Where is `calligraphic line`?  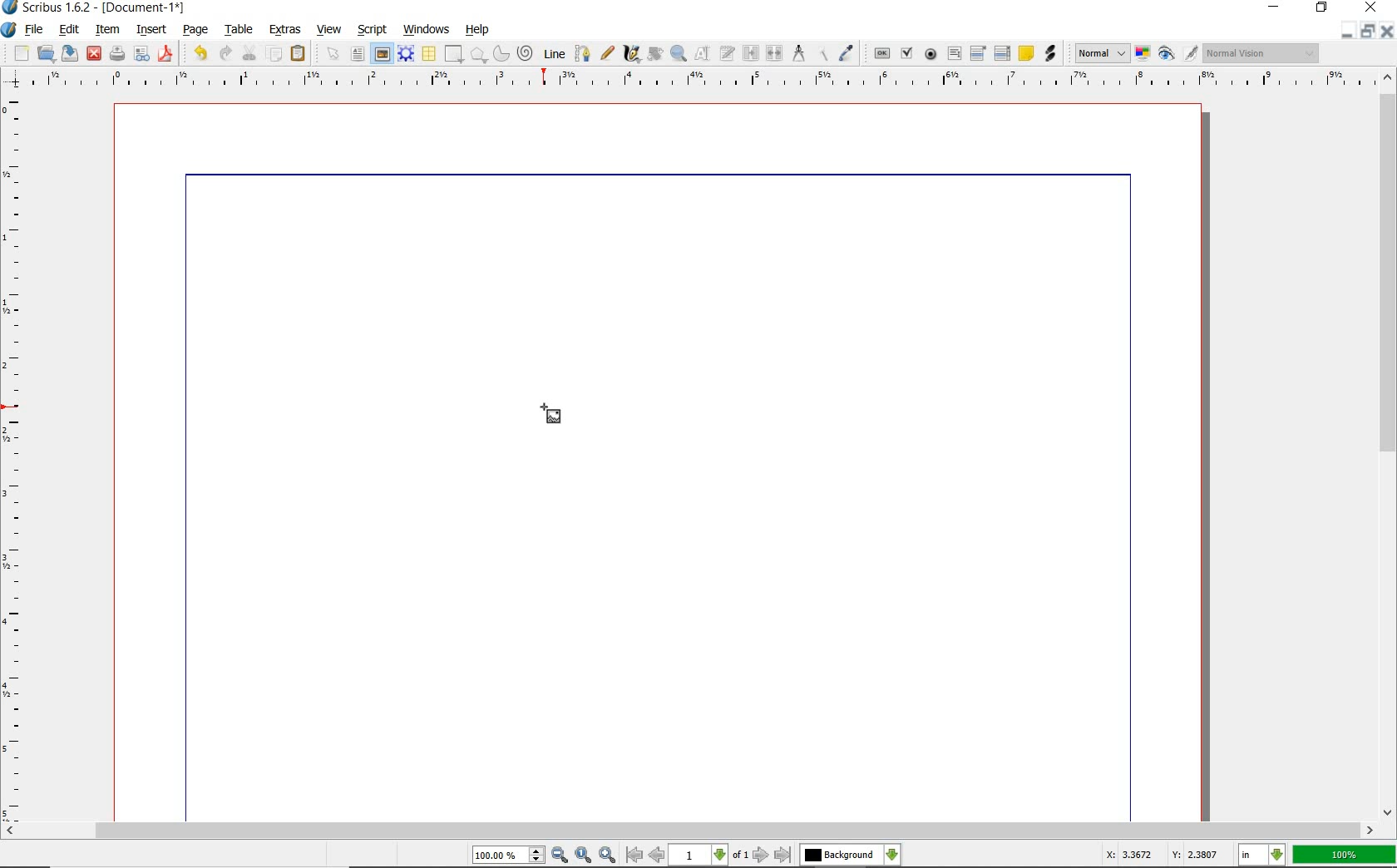 calligraphic line is located at coordinates (631, 55).